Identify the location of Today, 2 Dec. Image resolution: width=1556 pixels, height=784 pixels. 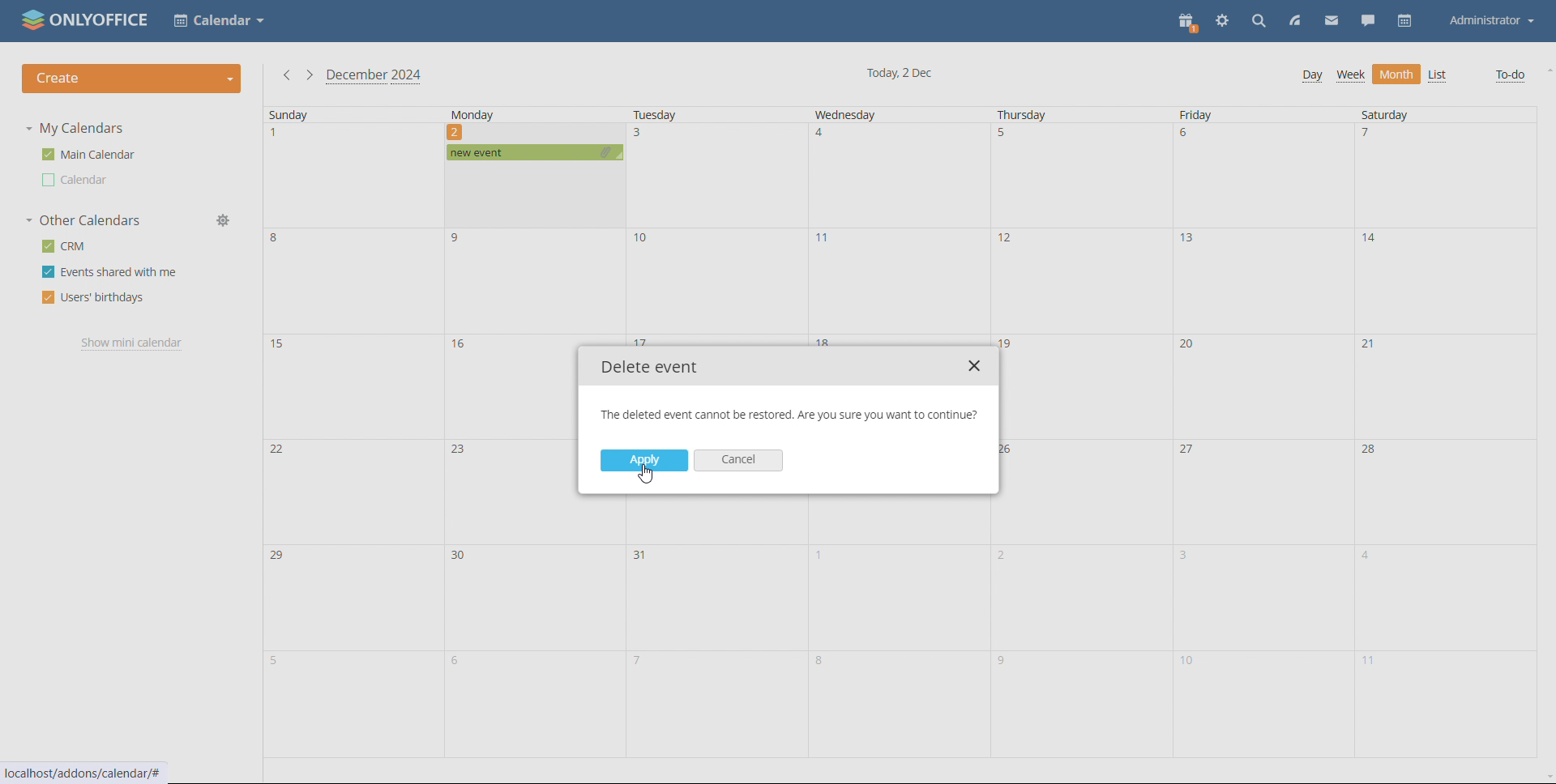
(904, 72).